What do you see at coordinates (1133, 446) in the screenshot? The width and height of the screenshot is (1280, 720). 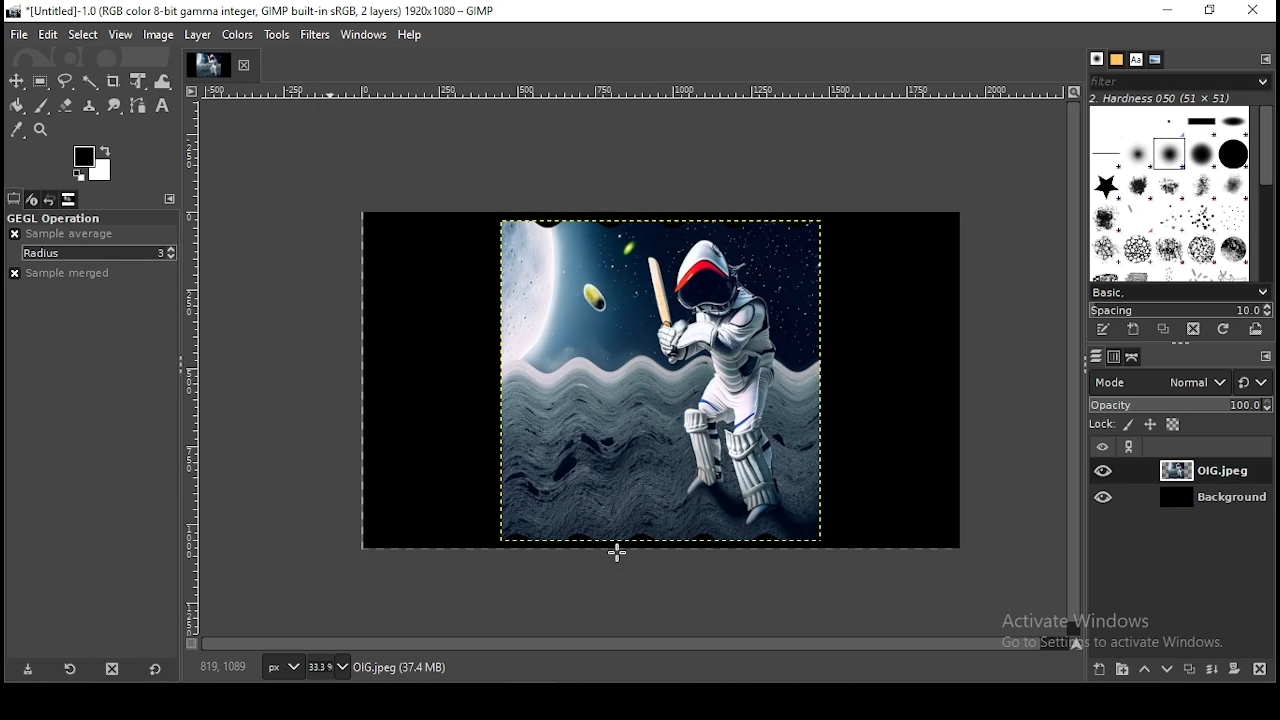 I see `link` at bounding box center [1133, 446].